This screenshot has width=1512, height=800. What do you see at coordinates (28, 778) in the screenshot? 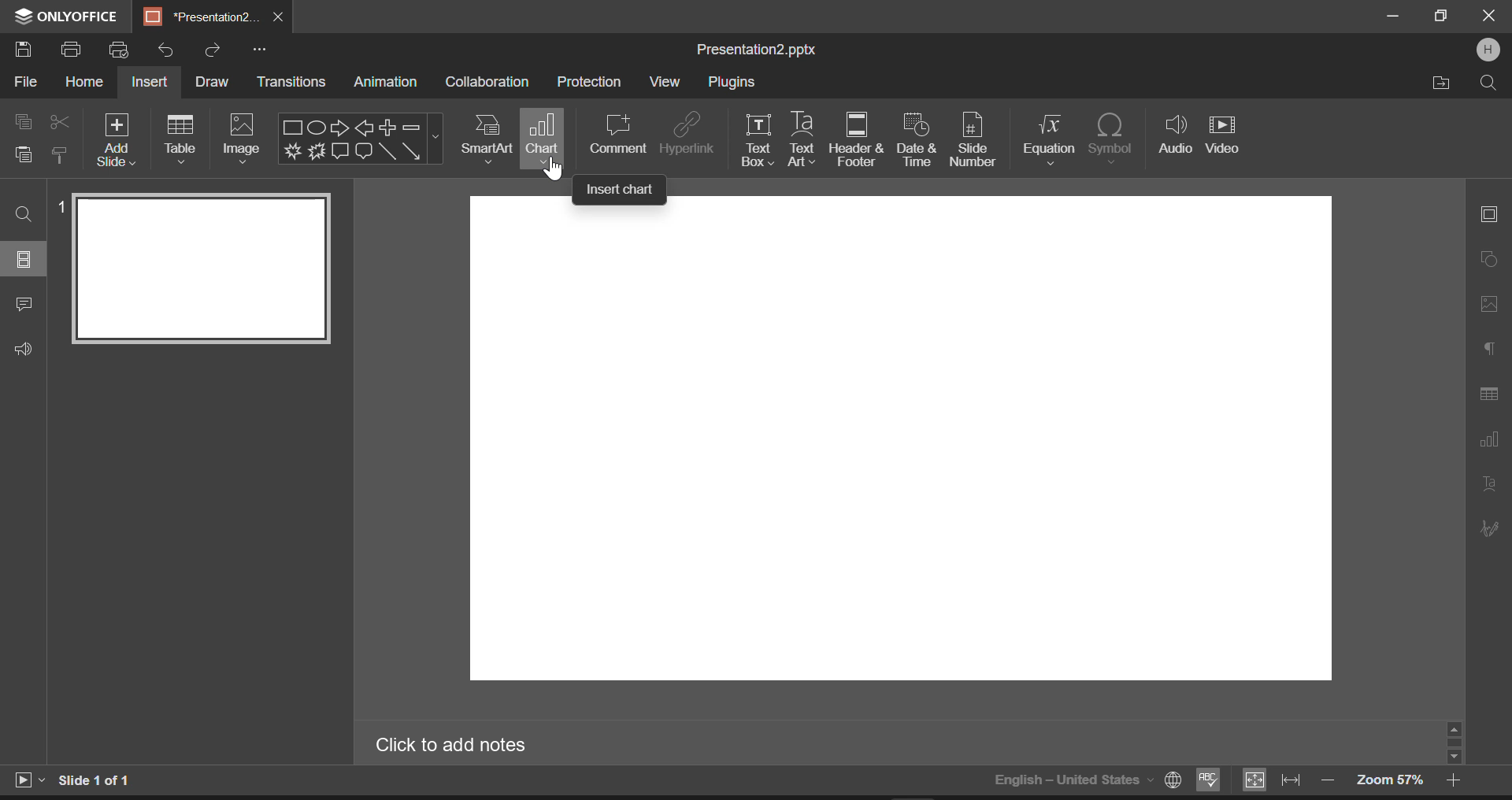
I see `Start Slideshow` at bounding box center [28, 778].